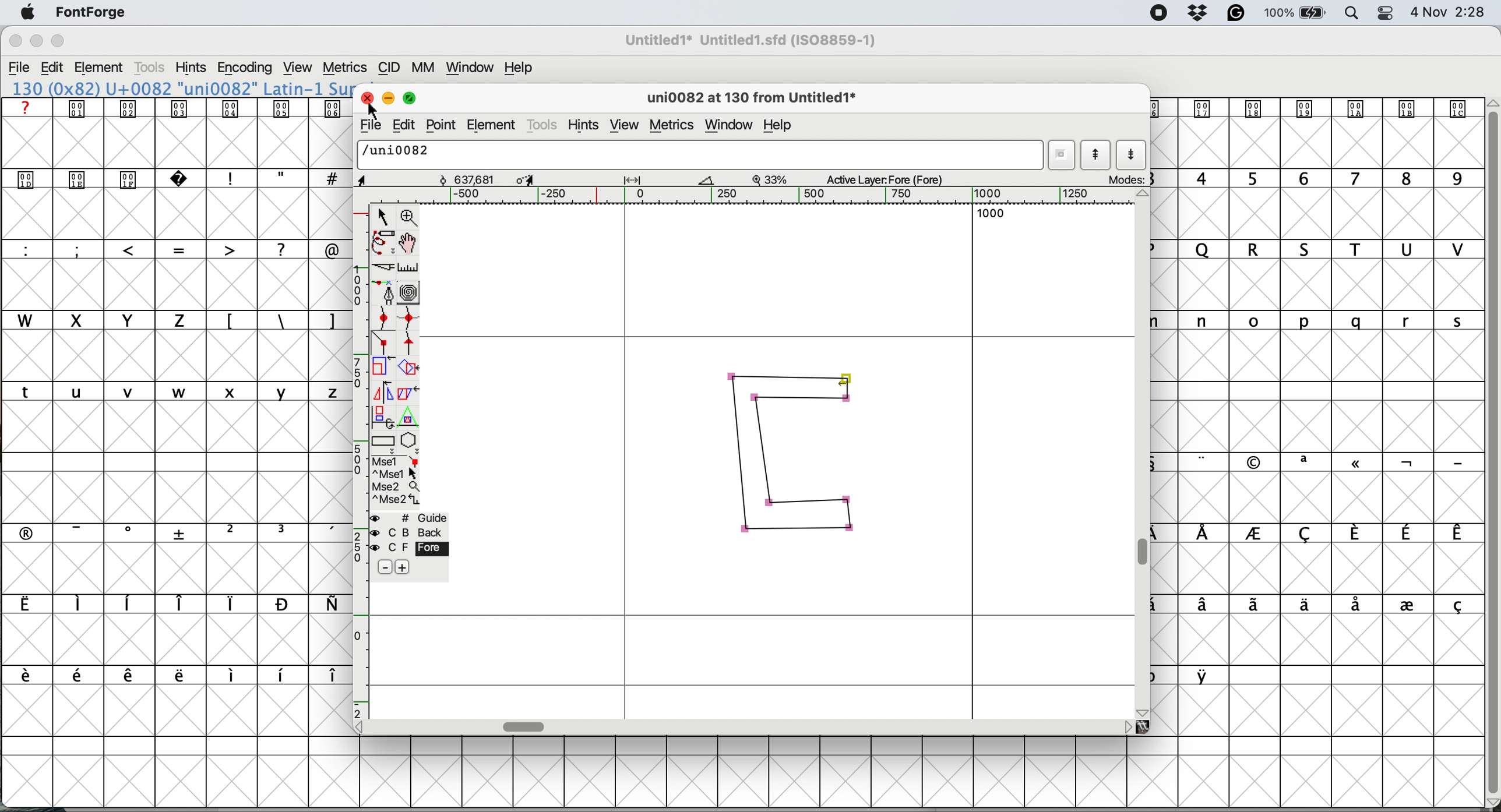 This screenshot has width=1501, height=812. What do you see at coordinates (1160, 13) in the screenshot?
I see `screen recorder` at bounding box center [1160, 13].